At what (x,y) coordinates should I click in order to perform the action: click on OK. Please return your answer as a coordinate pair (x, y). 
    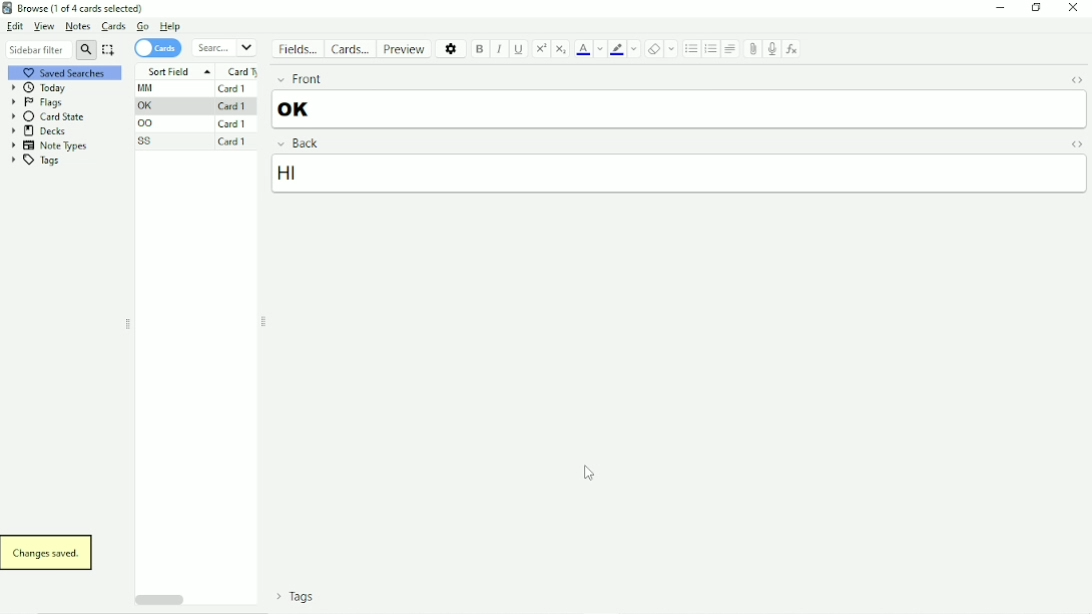
    Looking at the image, I should click on (298, 109).